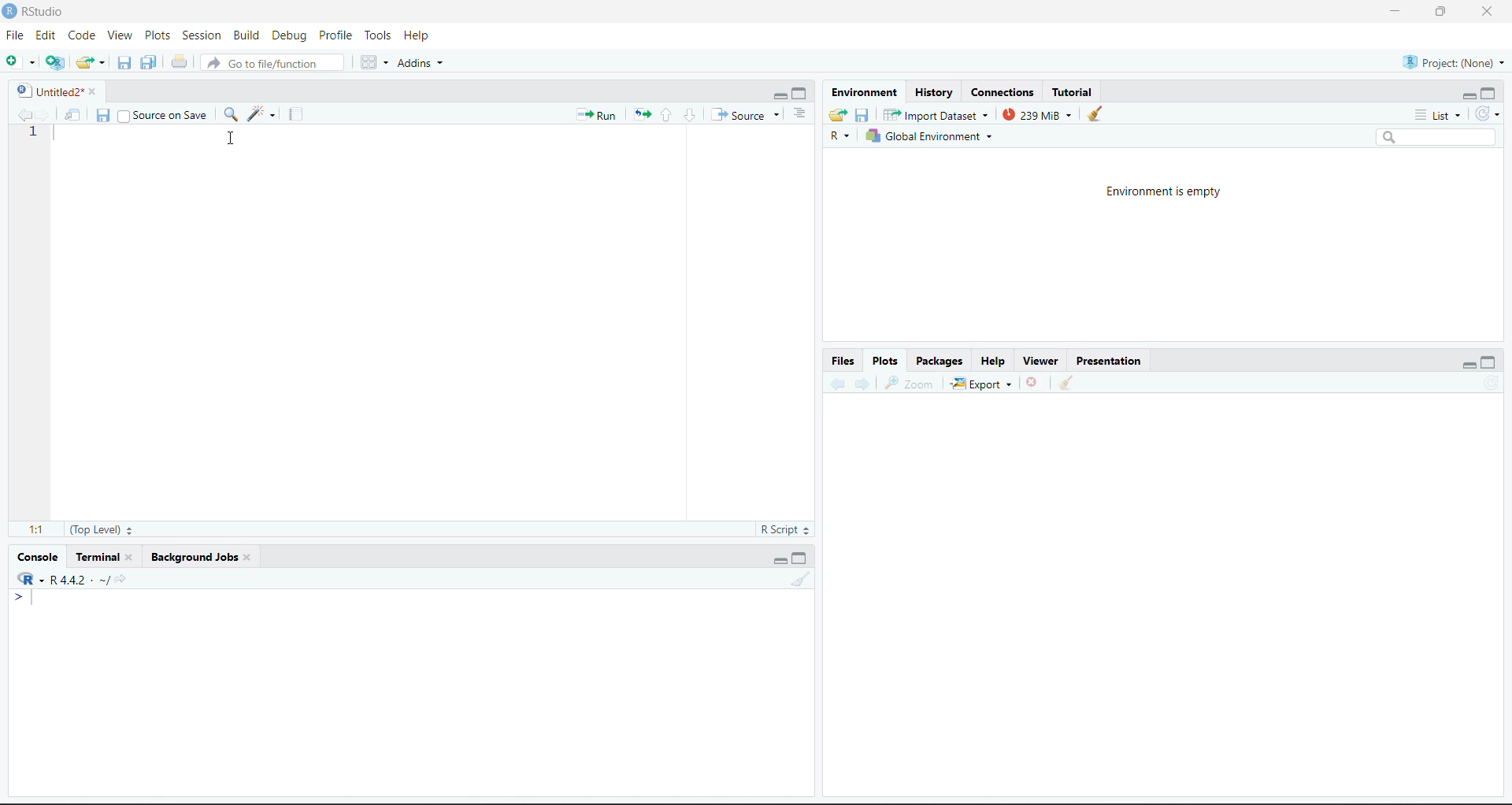 The image size is (1512, 805). Describe the element at coordinates (1484, 13) in the screenshot. I see `Close` at that location.